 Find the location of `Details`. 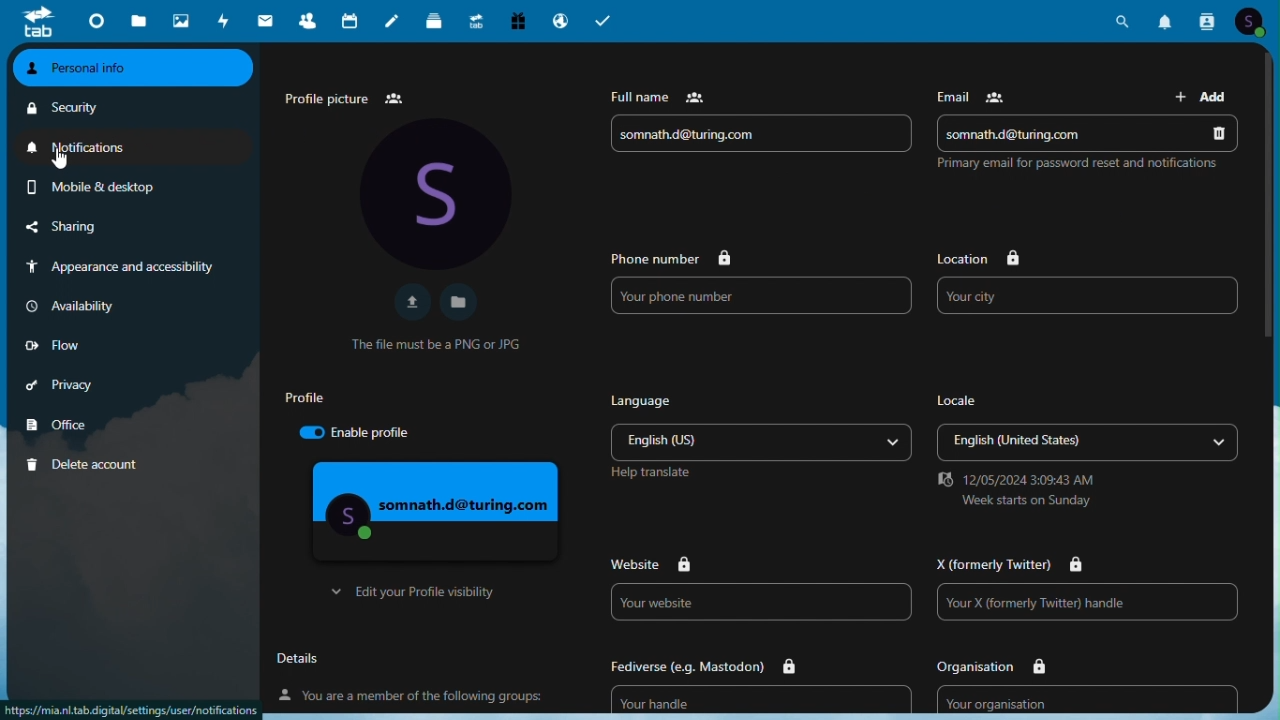

Details is located at coordinates (413, 678).